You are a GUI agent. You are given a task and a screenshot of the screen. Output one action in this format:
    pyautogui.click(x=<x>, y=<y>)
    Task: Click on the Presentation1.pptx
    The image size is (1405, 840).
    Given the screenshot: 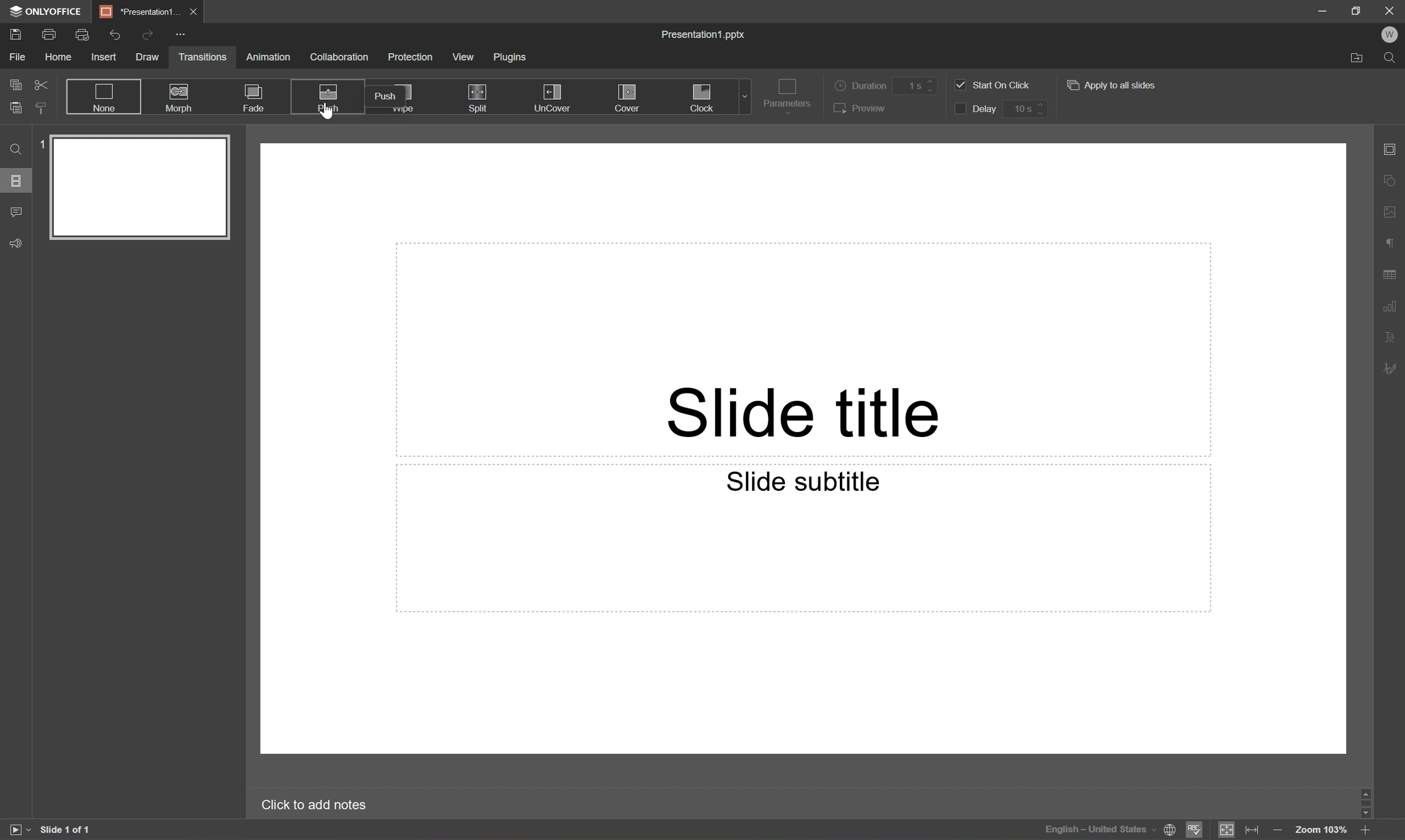 What is the action you would take?
    pyautogui.click(x=703, y=34)
    